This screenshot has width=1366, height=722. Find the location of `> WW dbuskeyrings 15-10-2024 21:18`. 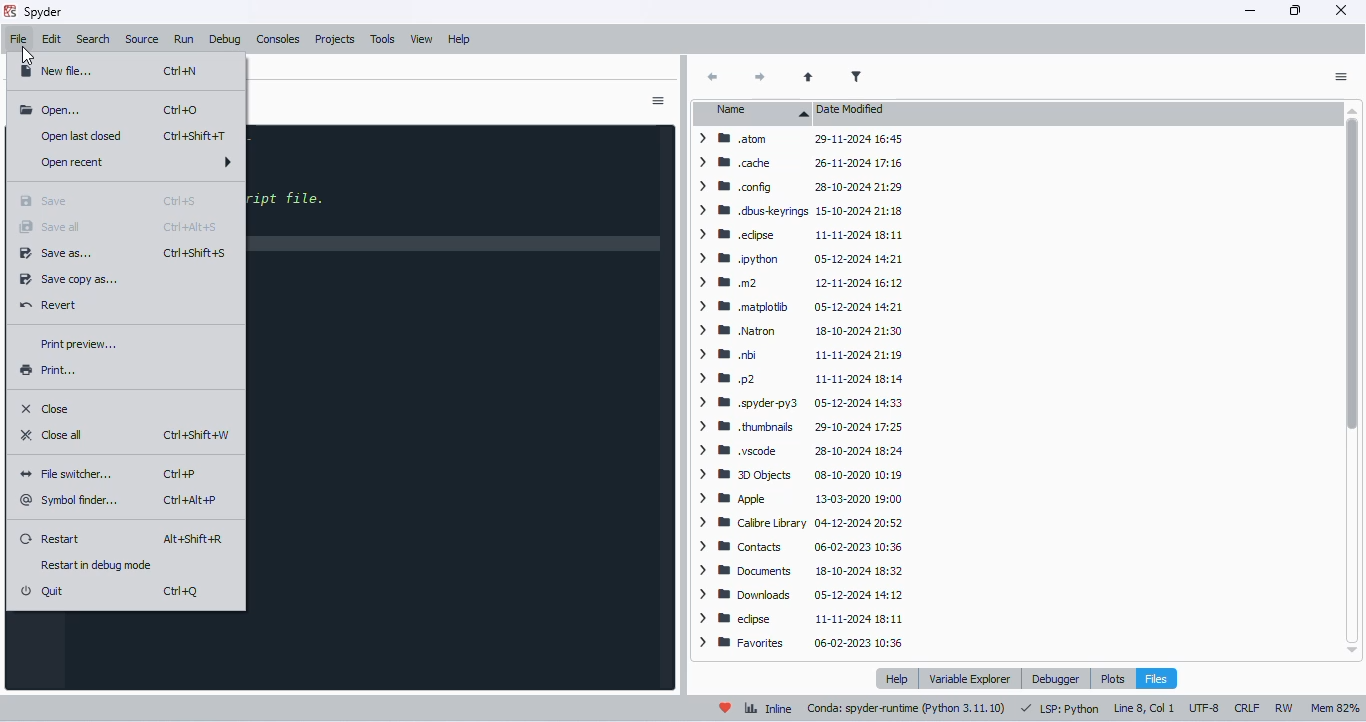

> WW dbuskeyrings 15-10-2024 21:18 is located at coordinates (796, 212).